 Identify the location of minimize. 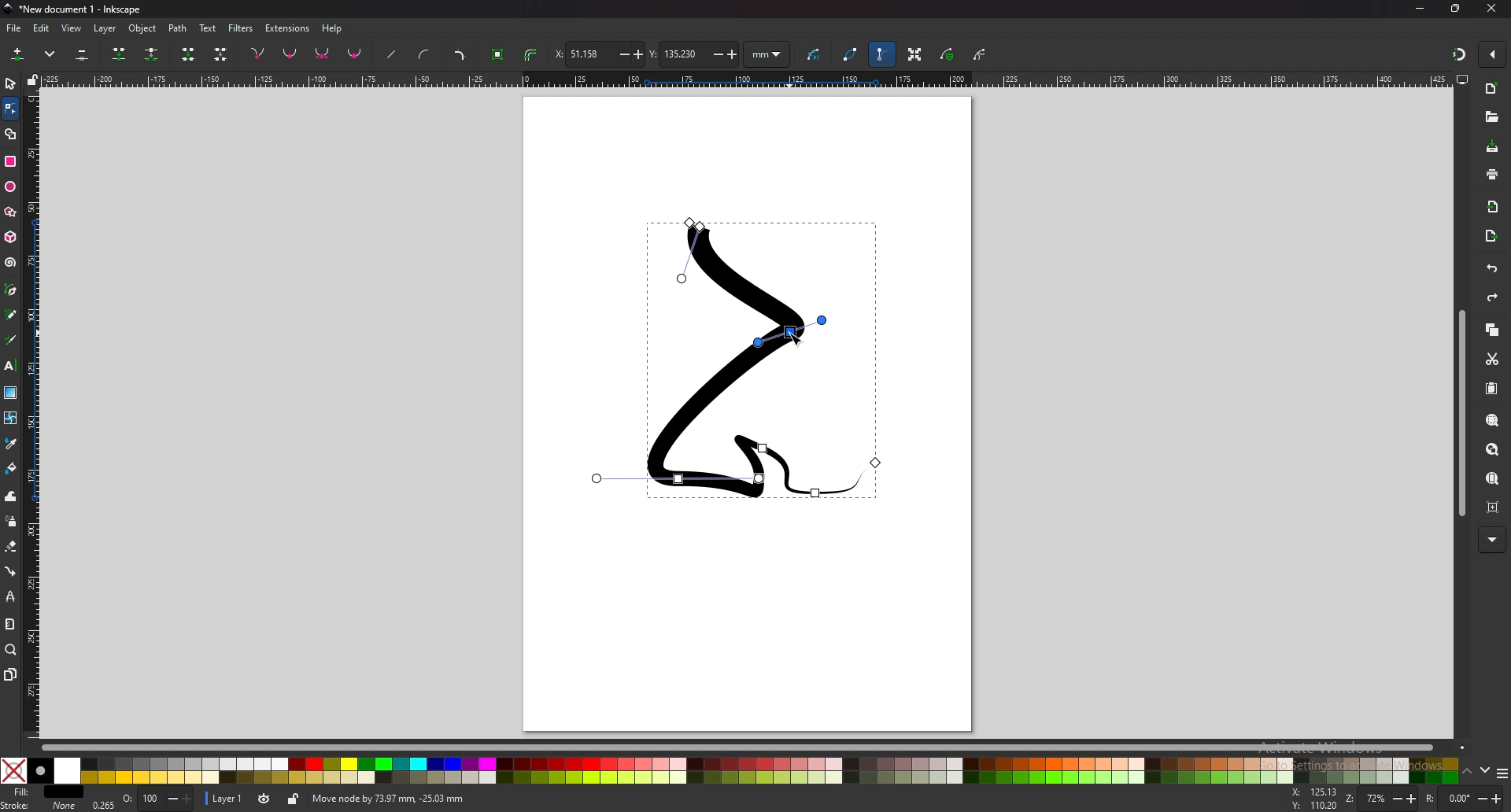
(1419, 7).